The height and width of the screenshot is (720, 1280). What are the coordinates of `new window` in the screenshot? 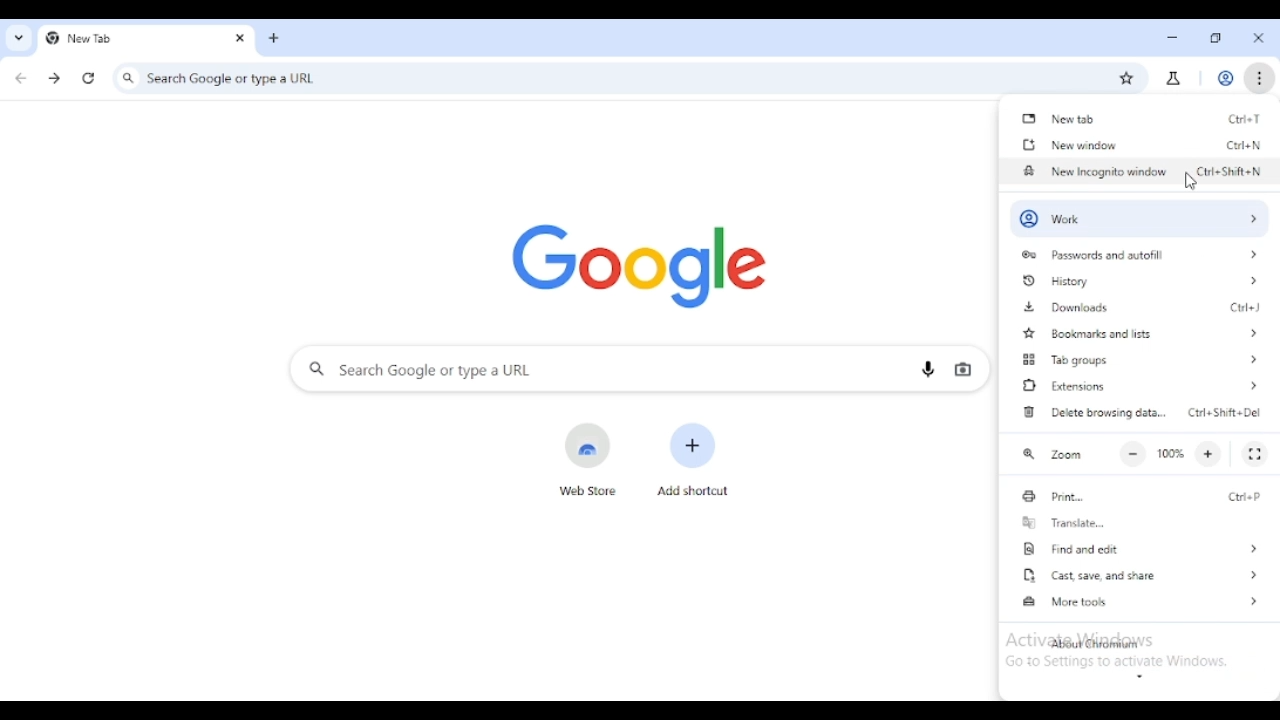 It's located at (1069, 145).